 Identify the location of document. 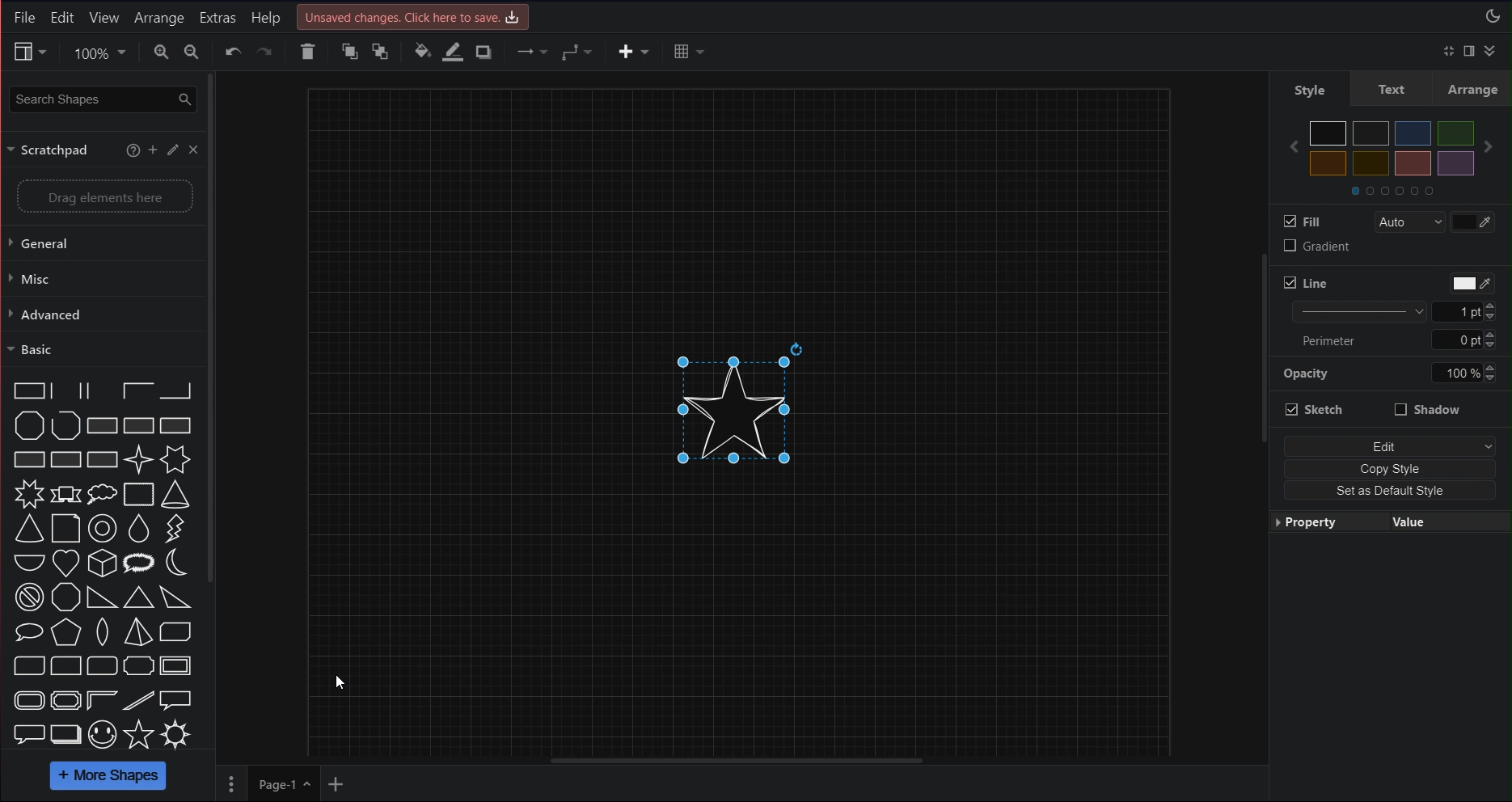
(65, 529).